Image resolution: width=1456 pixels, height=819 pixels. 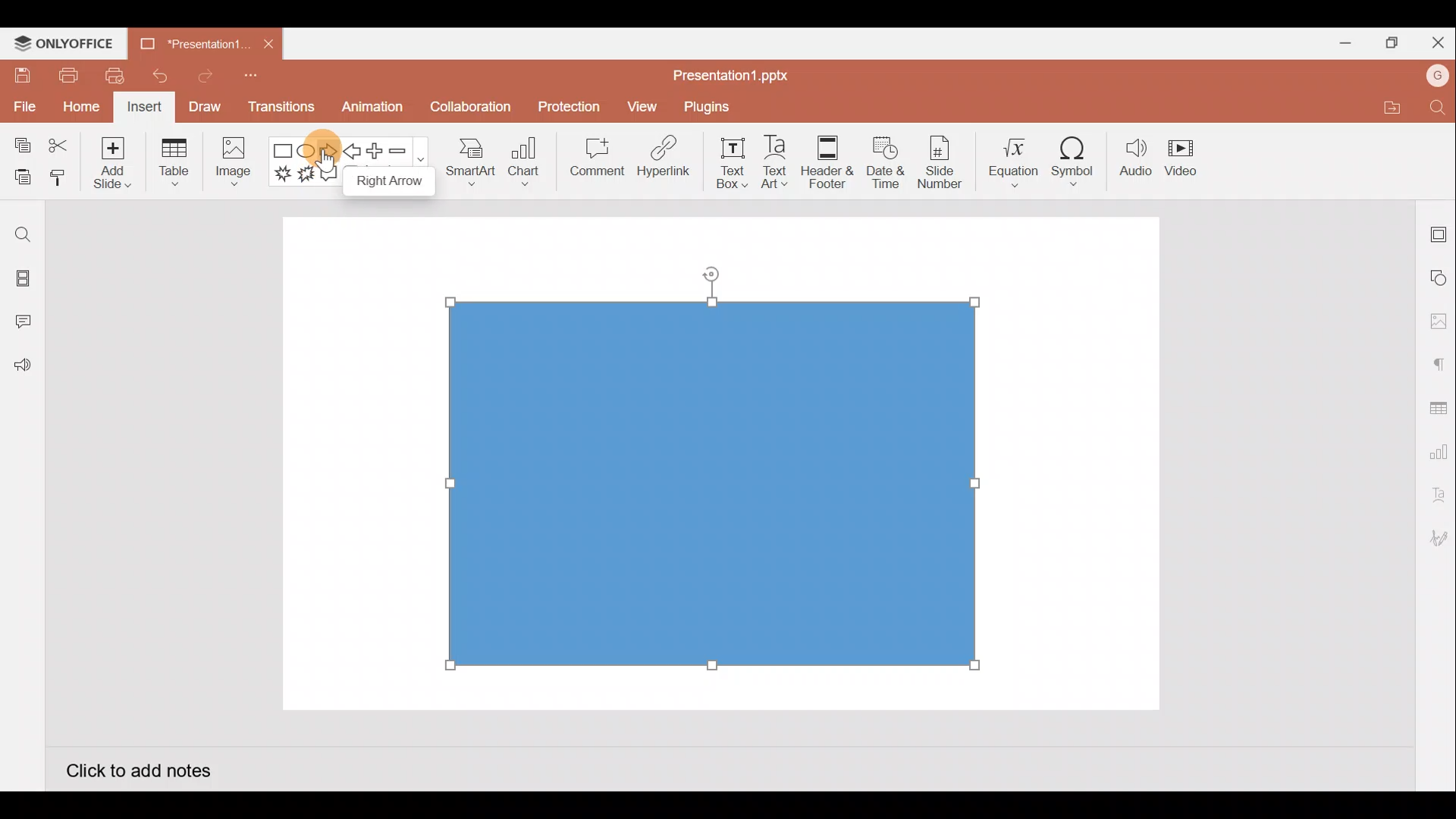 I want to click on Maximize, so click(x=1388, y=43).